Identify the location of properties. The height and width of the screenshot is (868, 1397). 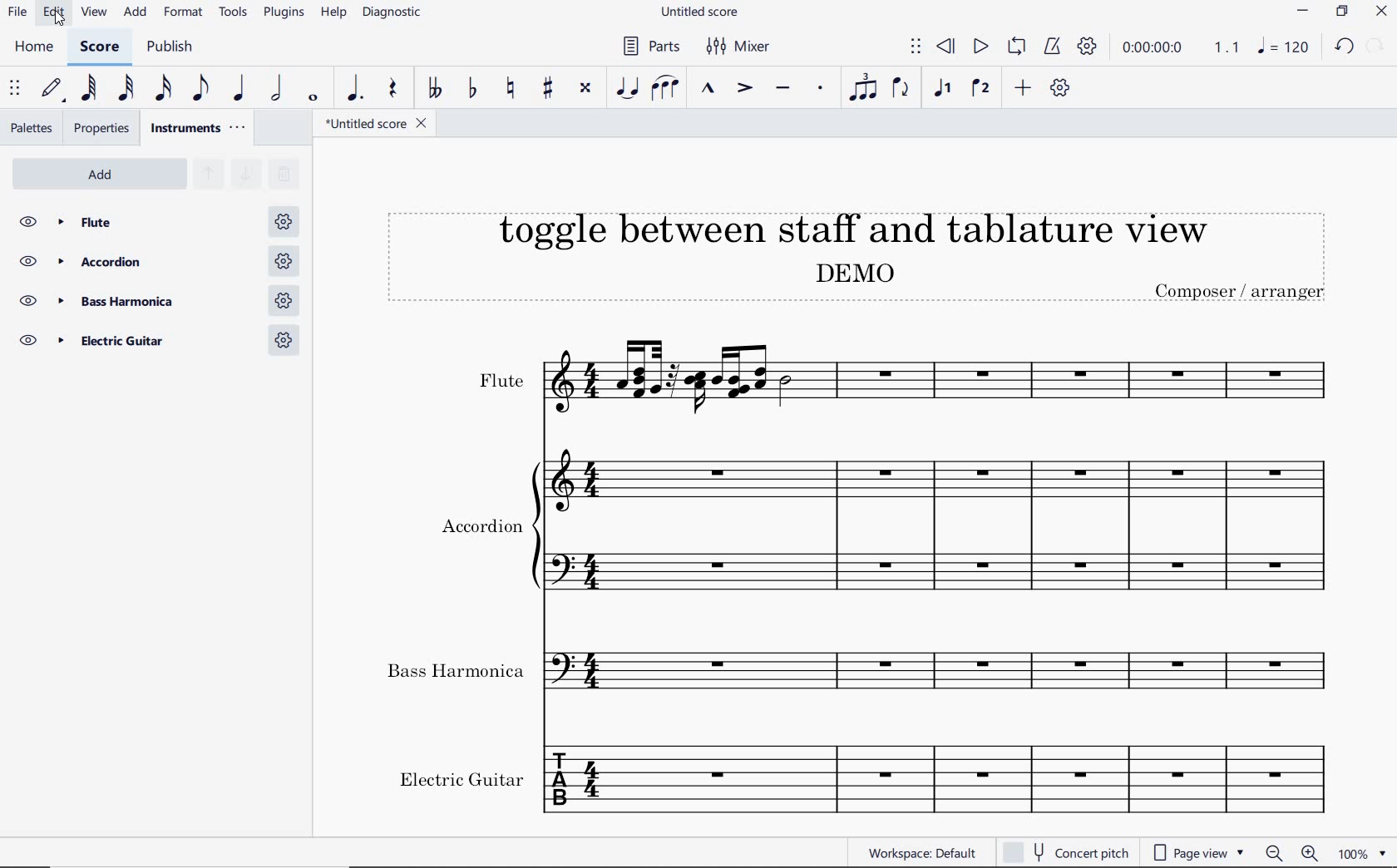
(101, 128).